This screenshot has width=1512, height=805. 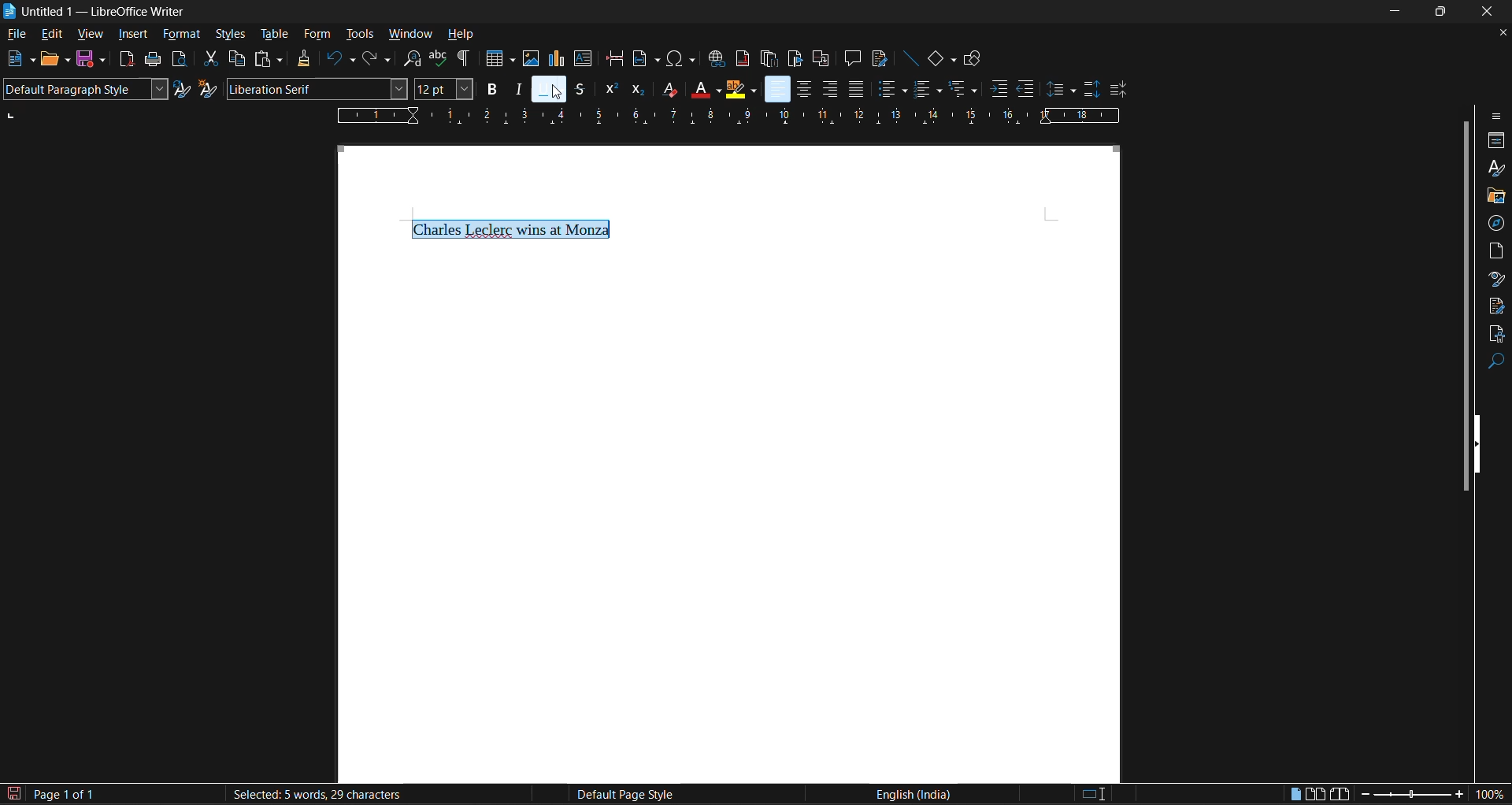 I want to click on page, so click(x=1497, y=249).